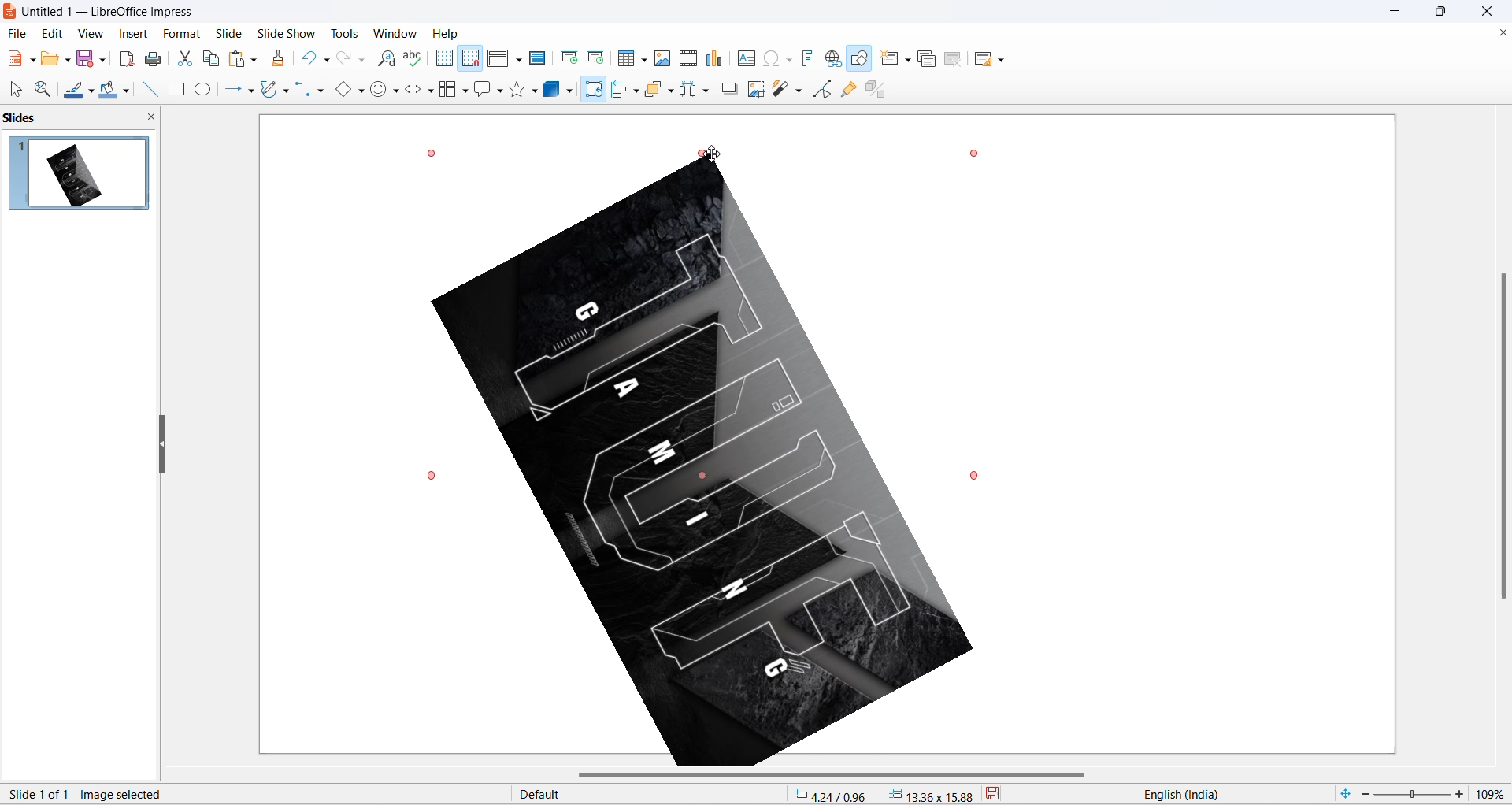 Image resolution: width=1512 pixels, height=805 pixels. Describe the element at coordinates (481, 91) in the screenshot. I see `callout shape` at that location.